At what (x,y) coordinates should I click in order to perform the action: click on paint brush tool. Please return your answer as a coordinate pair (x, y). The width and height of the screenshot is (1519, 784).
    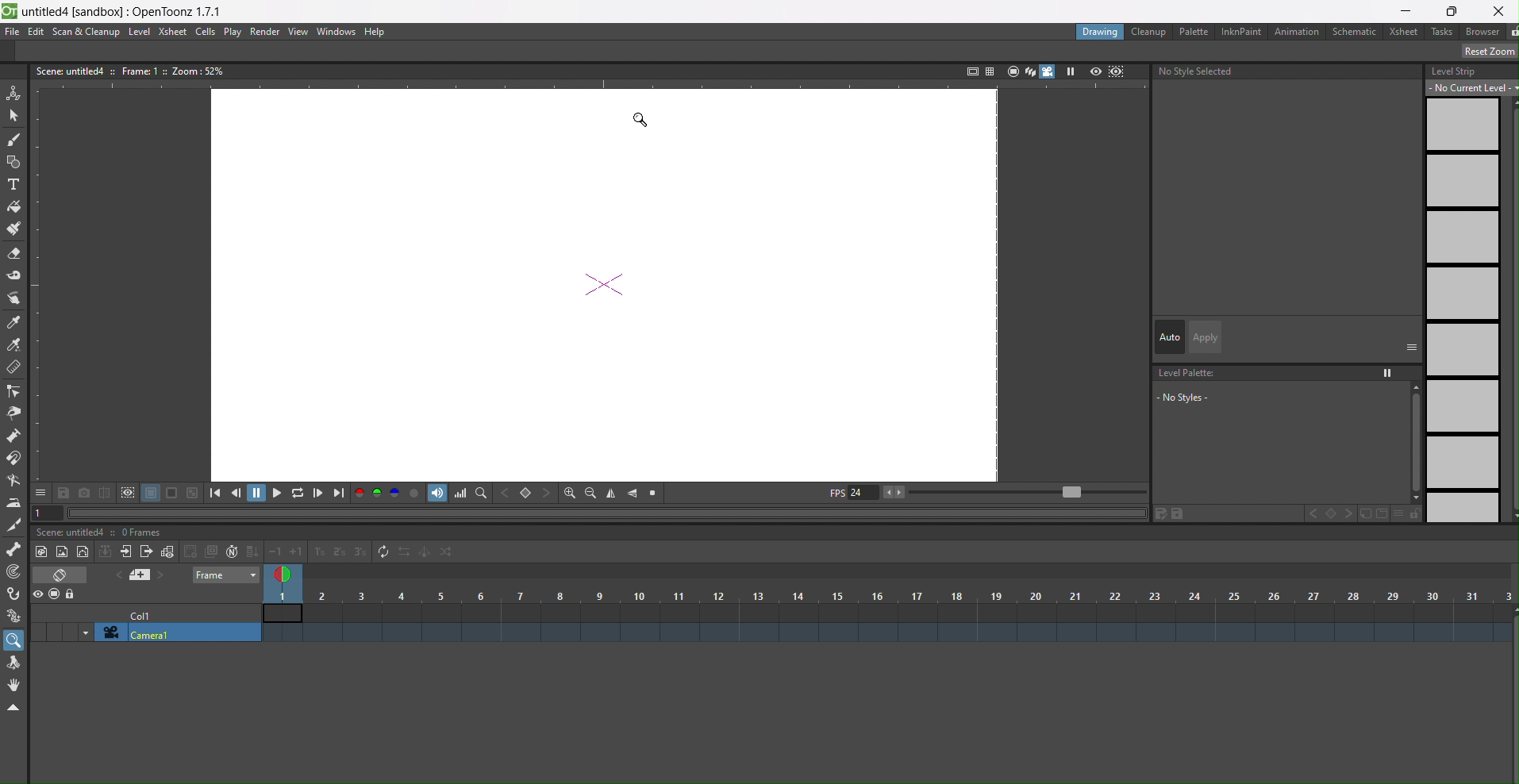
    Looking at the image, I should click on (13, 229).